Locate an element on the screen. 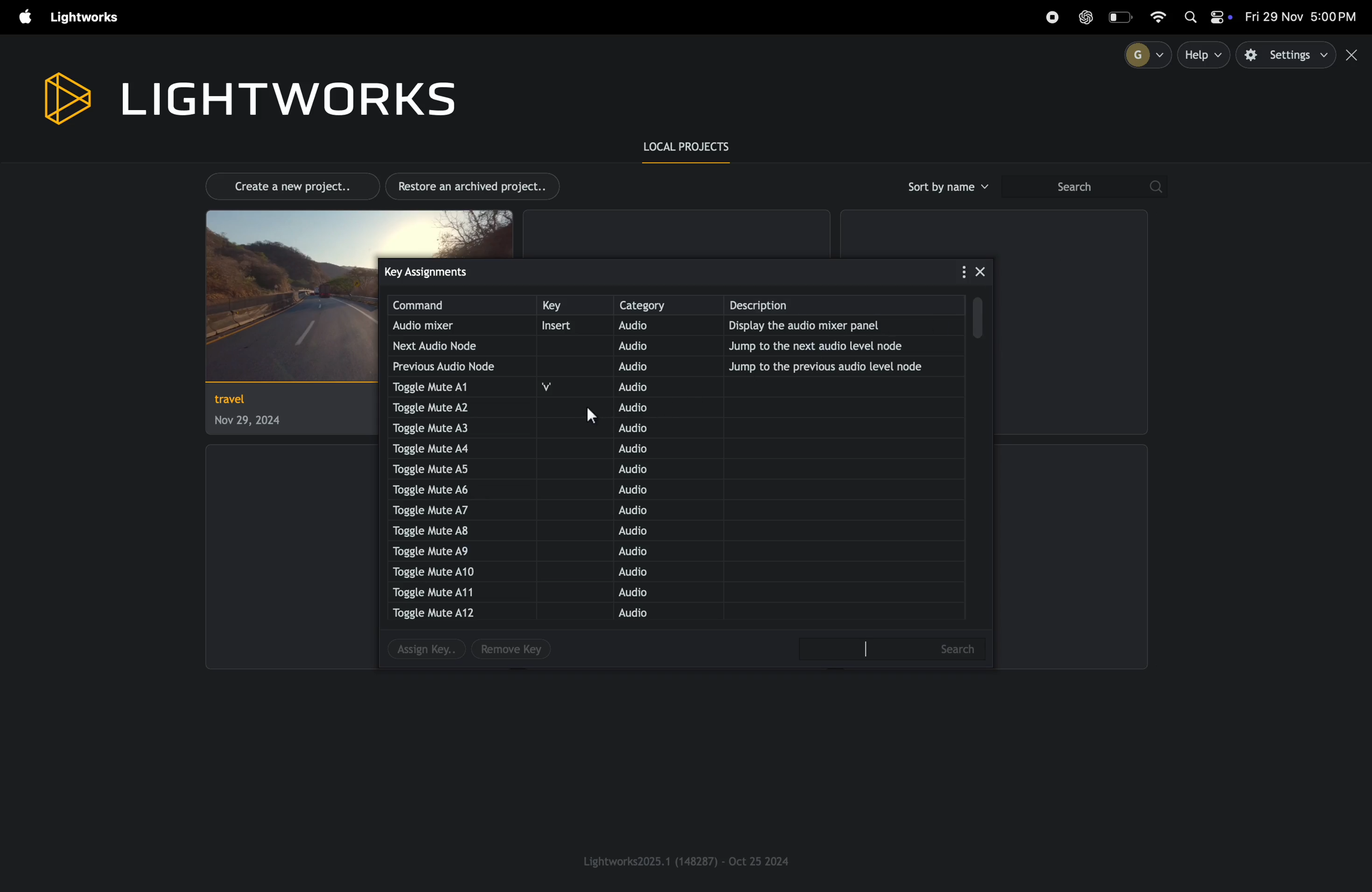 The height and width of the screenshot is (892, 1372). options is located at coordinates (956, 272).